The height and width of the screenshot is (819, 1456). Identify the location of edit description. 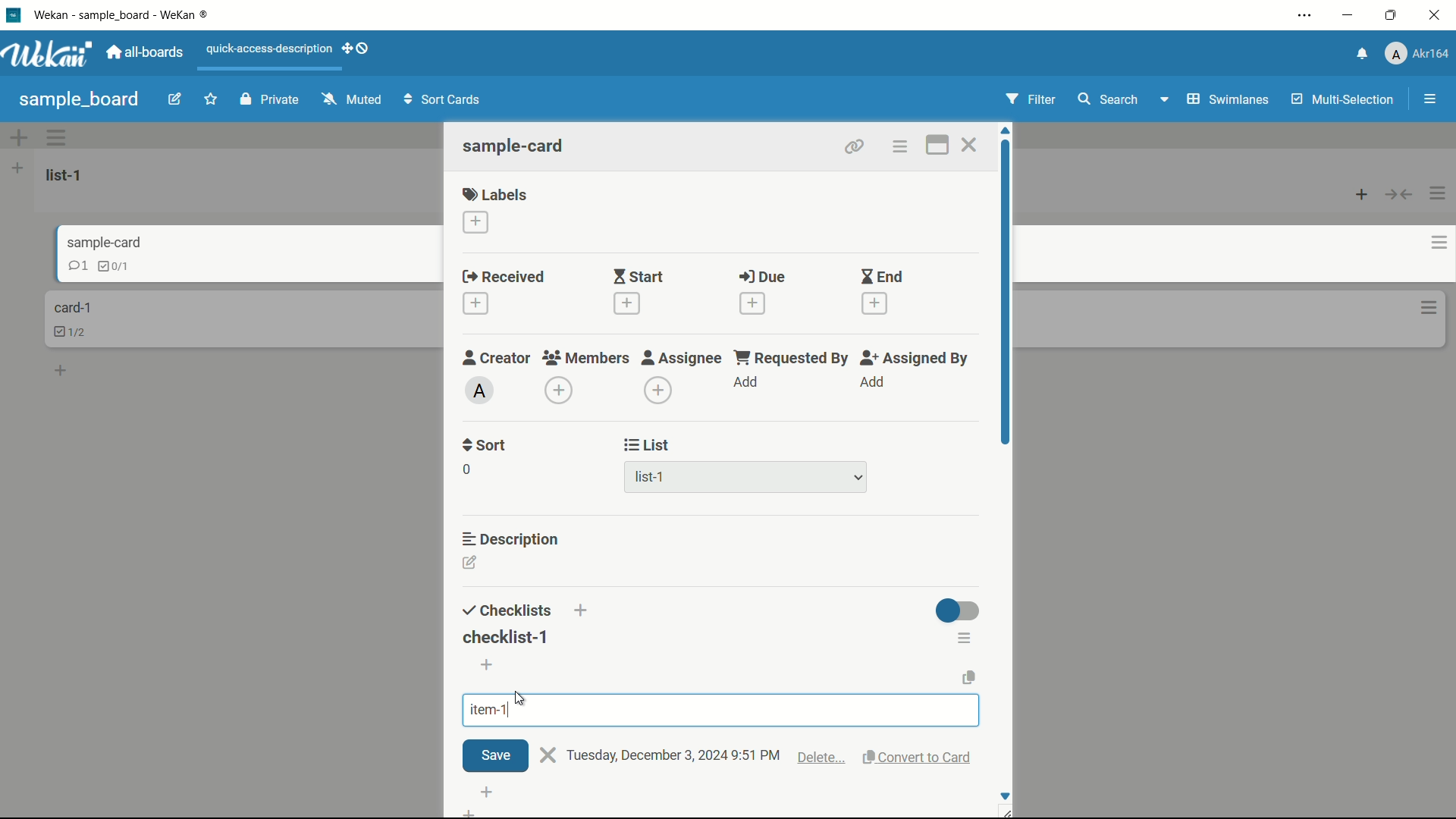
(471, 562).